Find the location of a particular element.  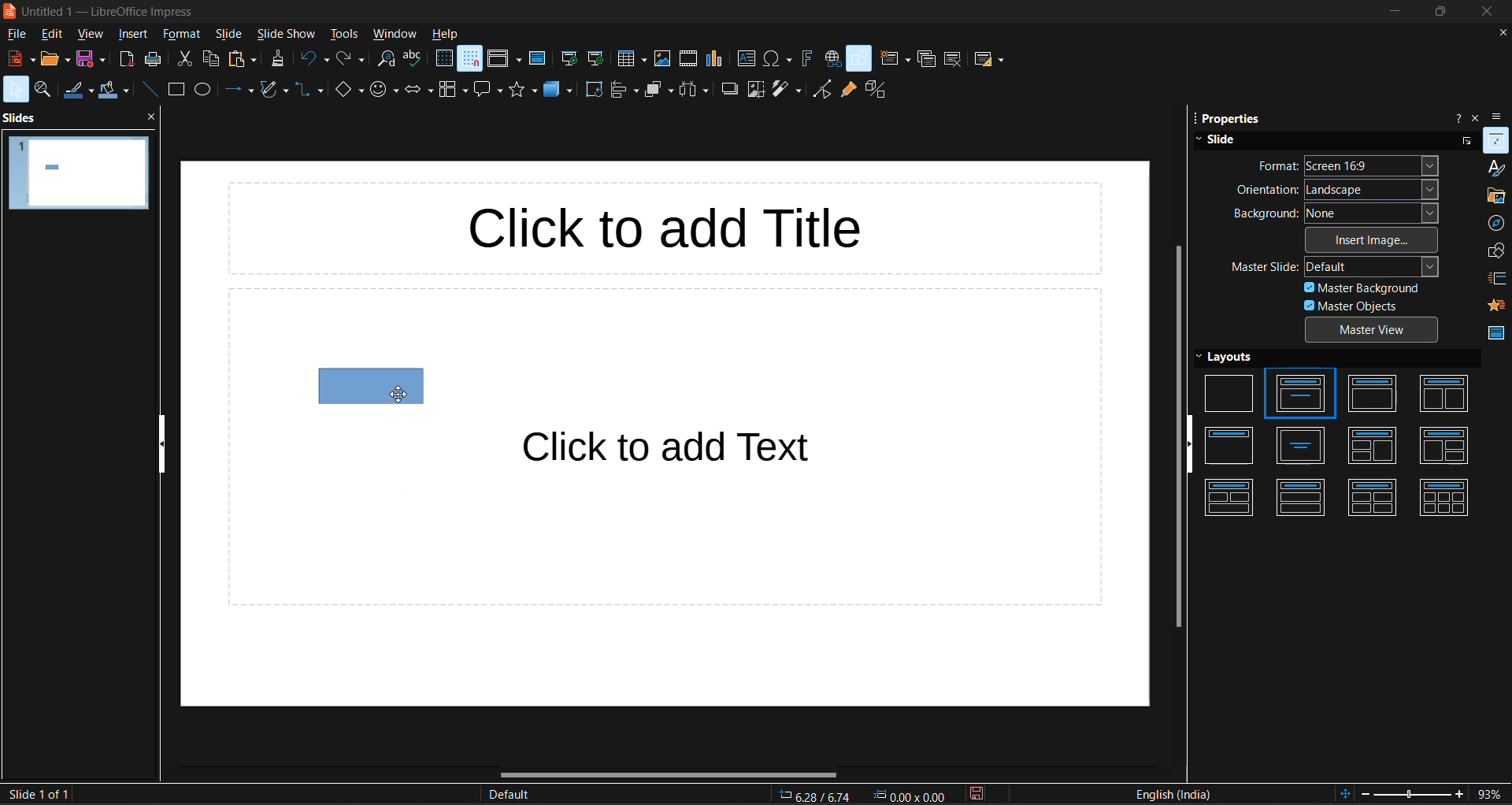

slide is located at coordinates (231, 35).